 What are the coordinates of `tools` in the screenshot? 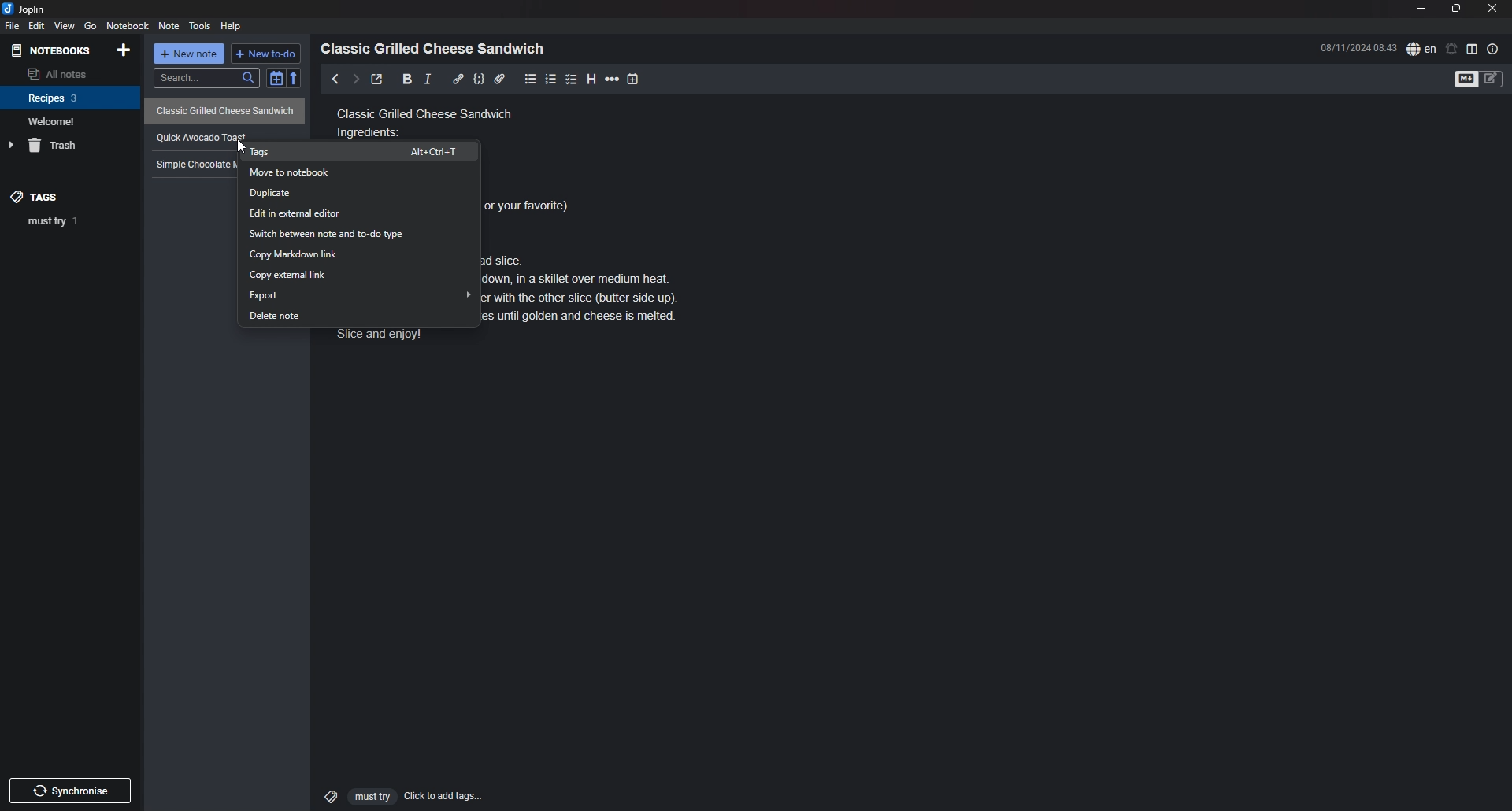 It's located at (202, 26).